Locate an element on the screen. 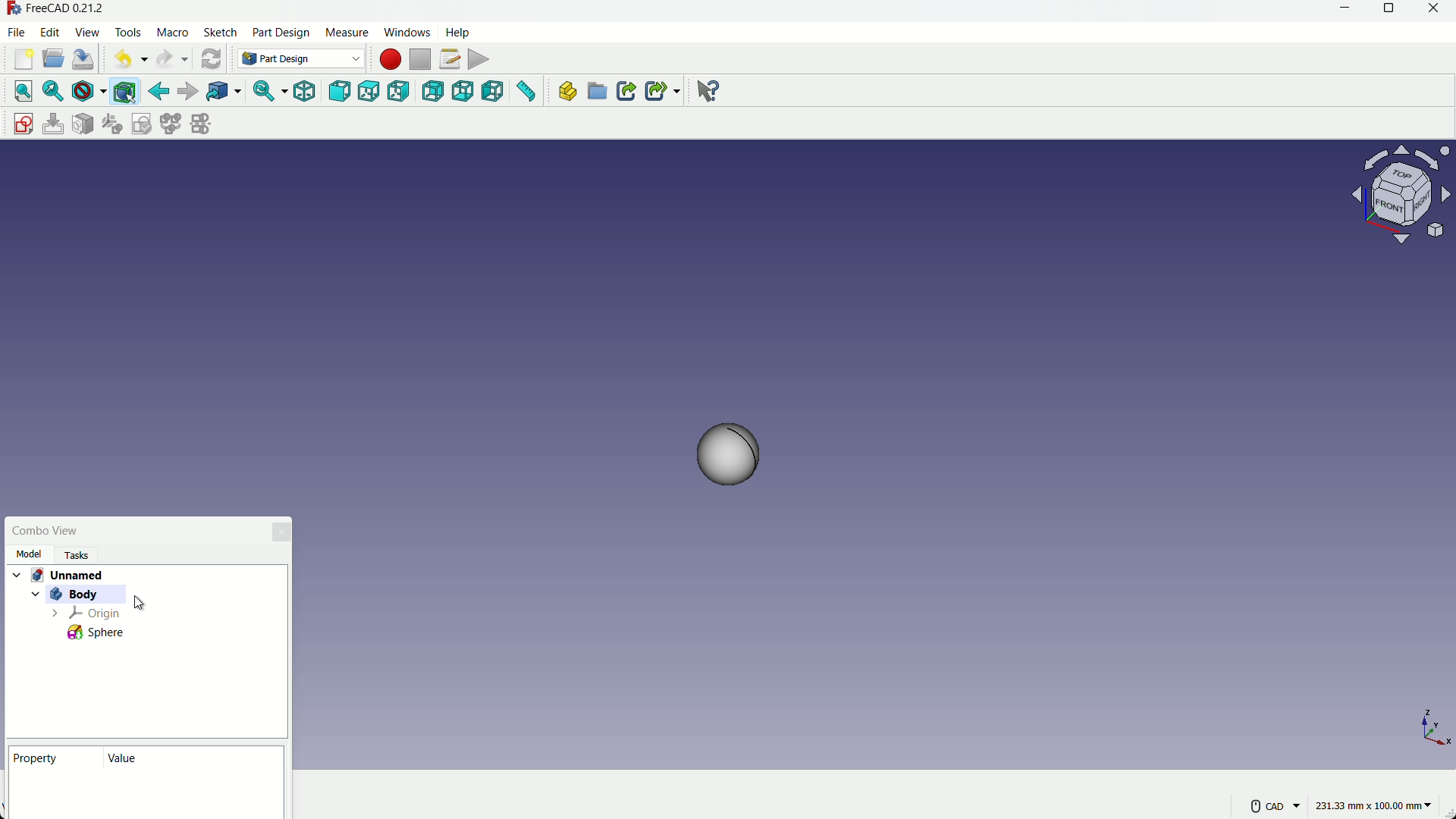  FreeCAD 0.21.2 is located at coordinates (71, 7).